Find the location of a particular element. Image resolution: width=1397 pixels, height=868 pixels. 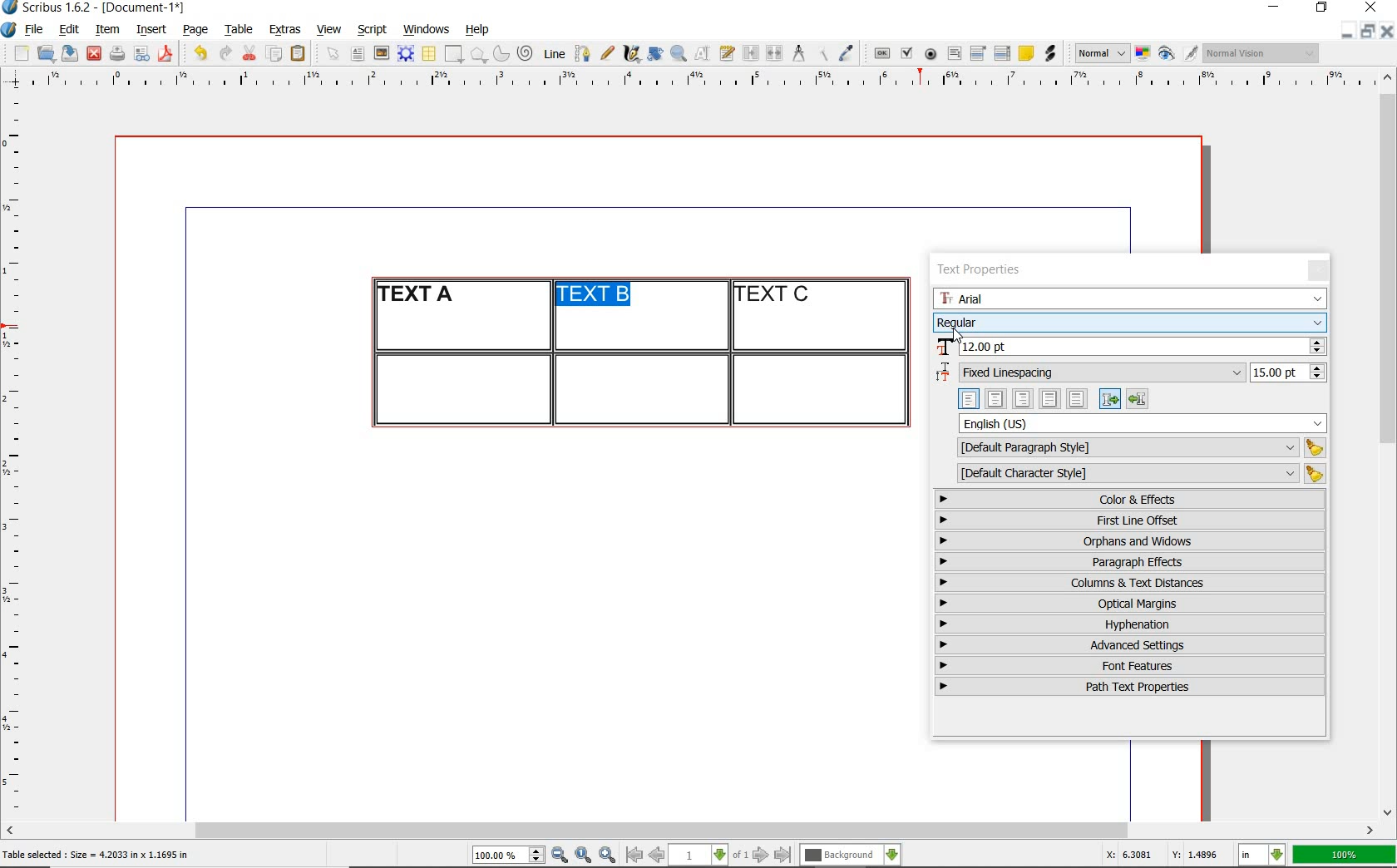

scrollbar is located at coordinates (690, 832).